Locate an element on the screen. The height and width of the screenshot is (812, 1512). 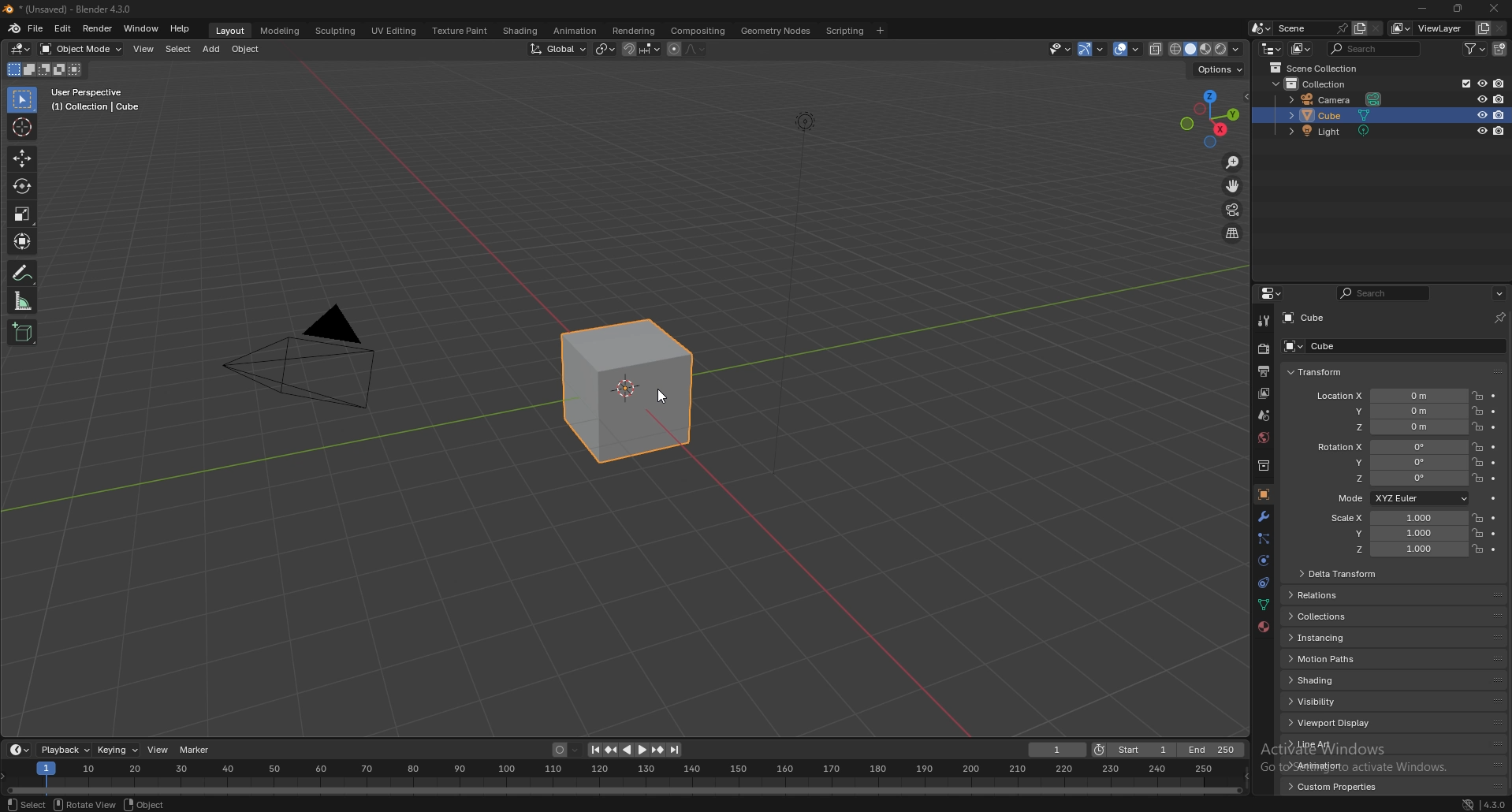
geometry nodes is located at coordinates (776, 30).